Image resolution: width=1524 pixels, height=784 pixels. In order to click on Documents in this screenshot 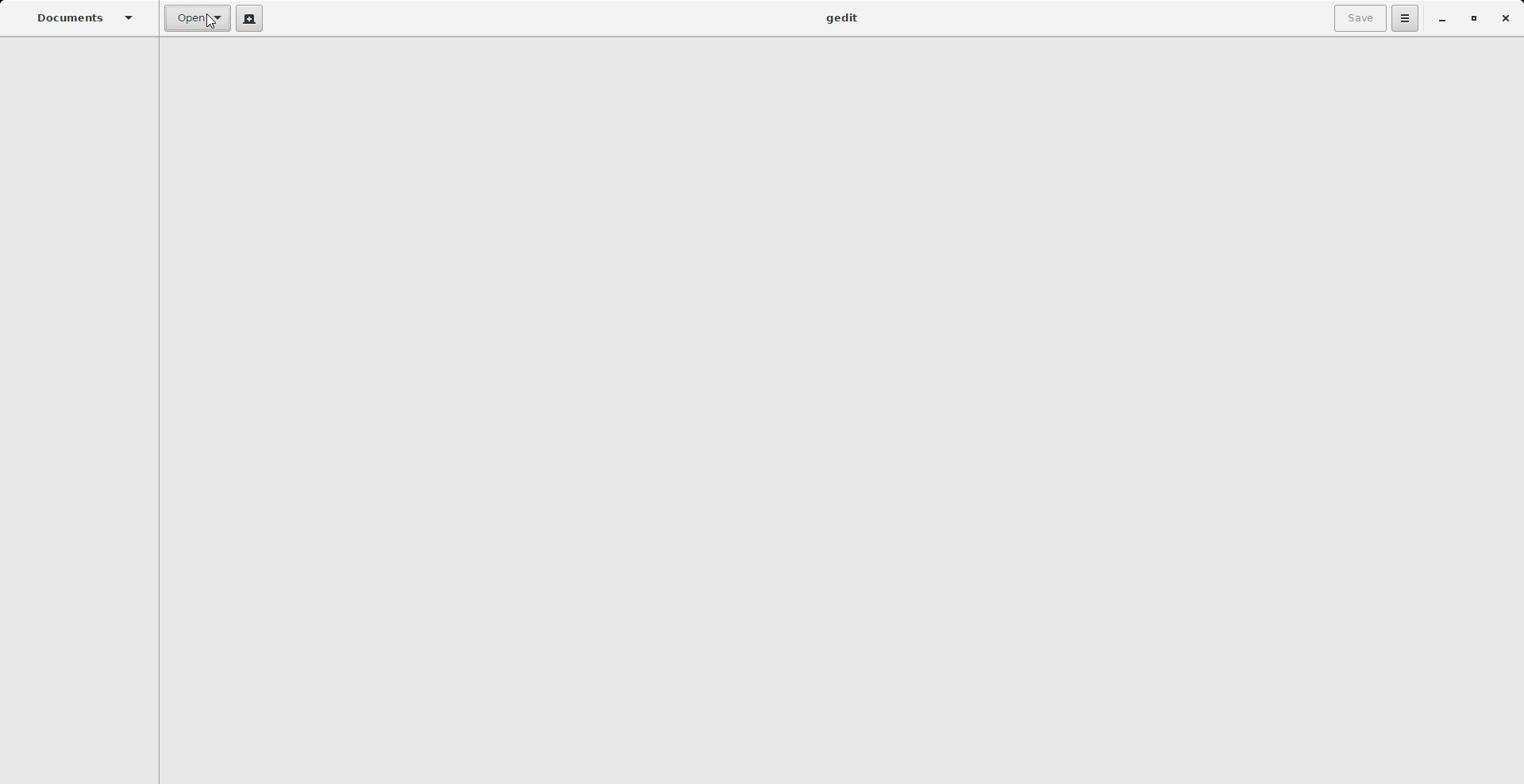, I will do `click(84, 19)`.